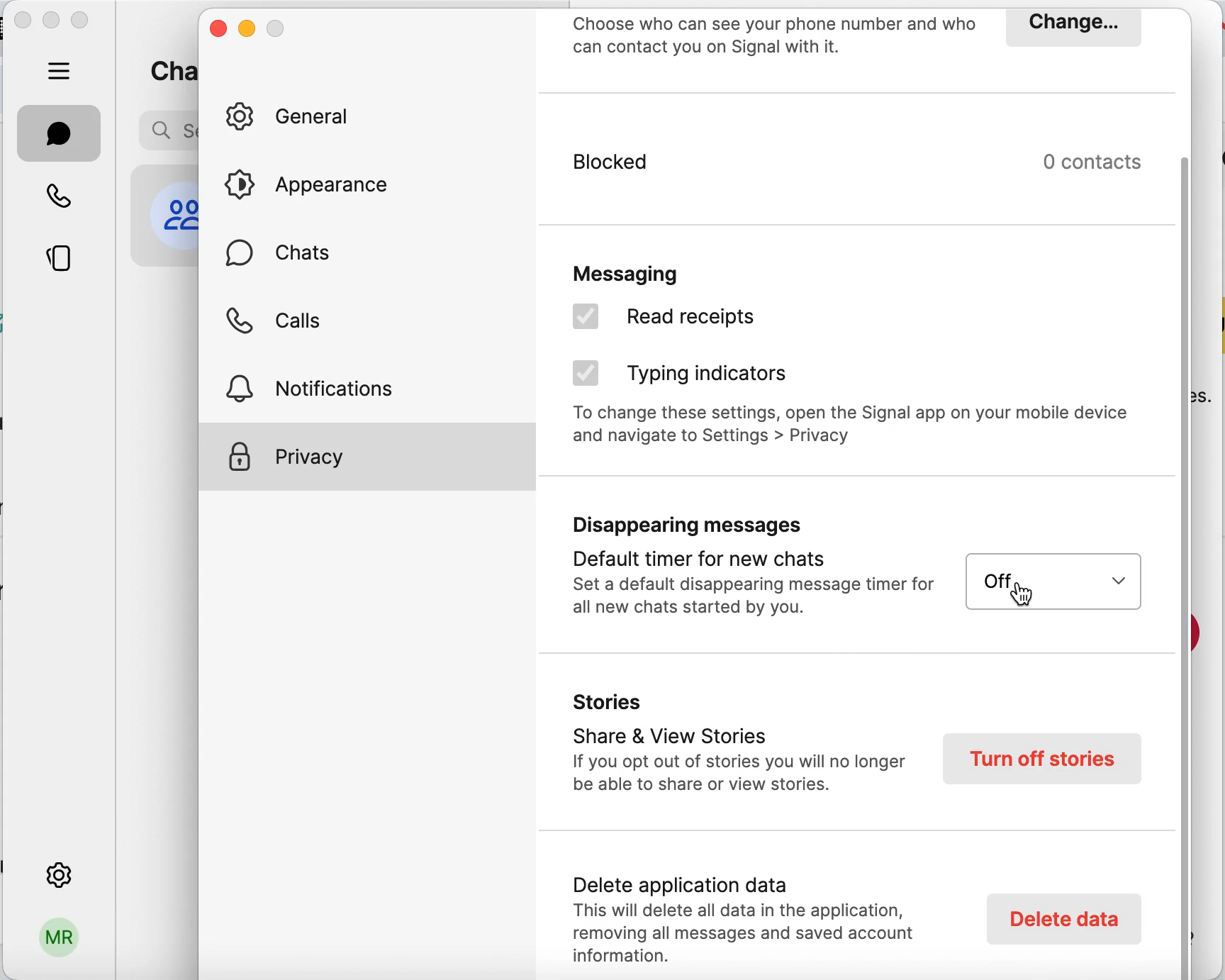 This screenshot has height=980, width=1225. I want to click on chat, so click(60, 133).